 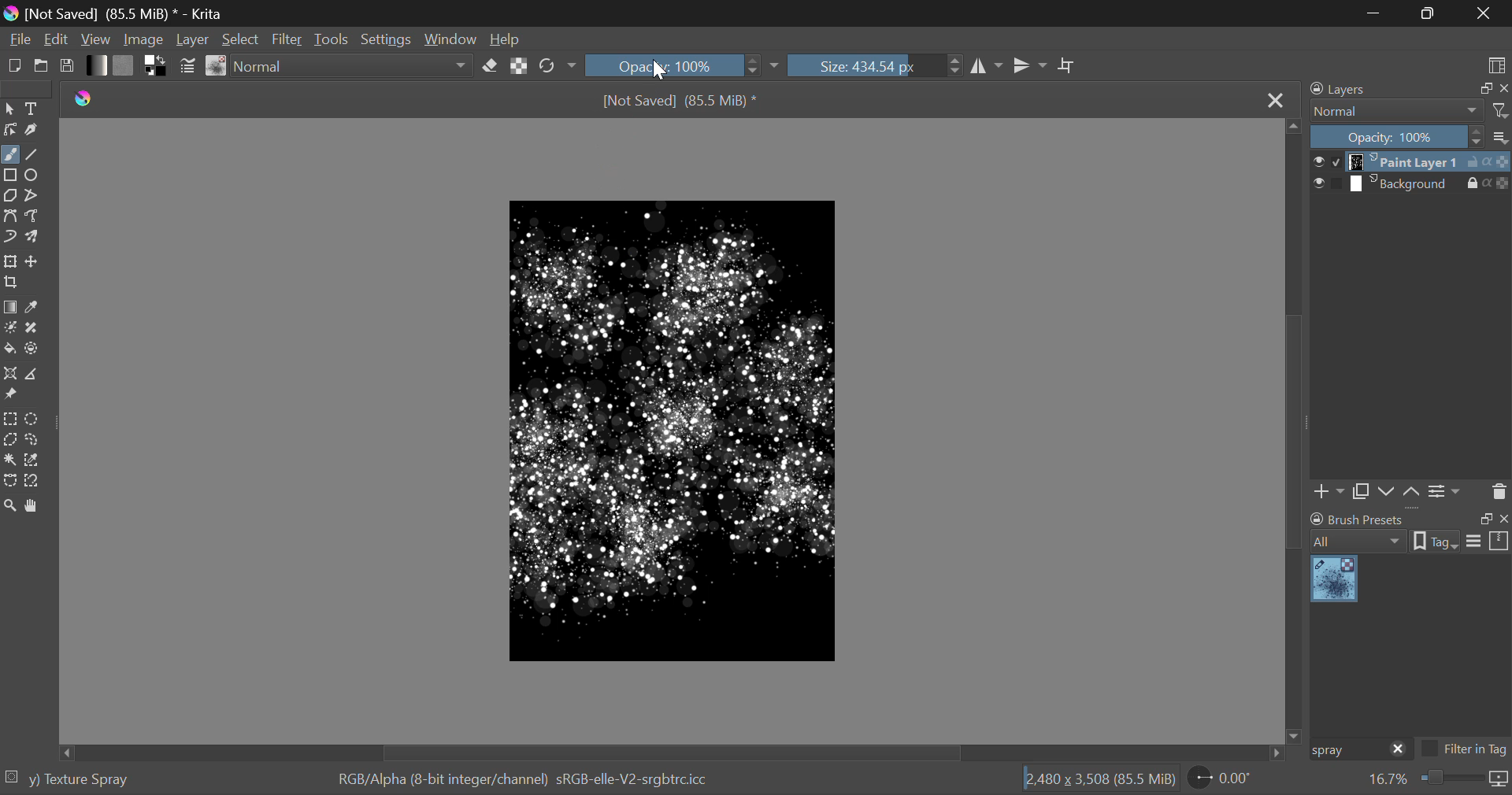 I want to click on Fill, so click(x=9, y=349).